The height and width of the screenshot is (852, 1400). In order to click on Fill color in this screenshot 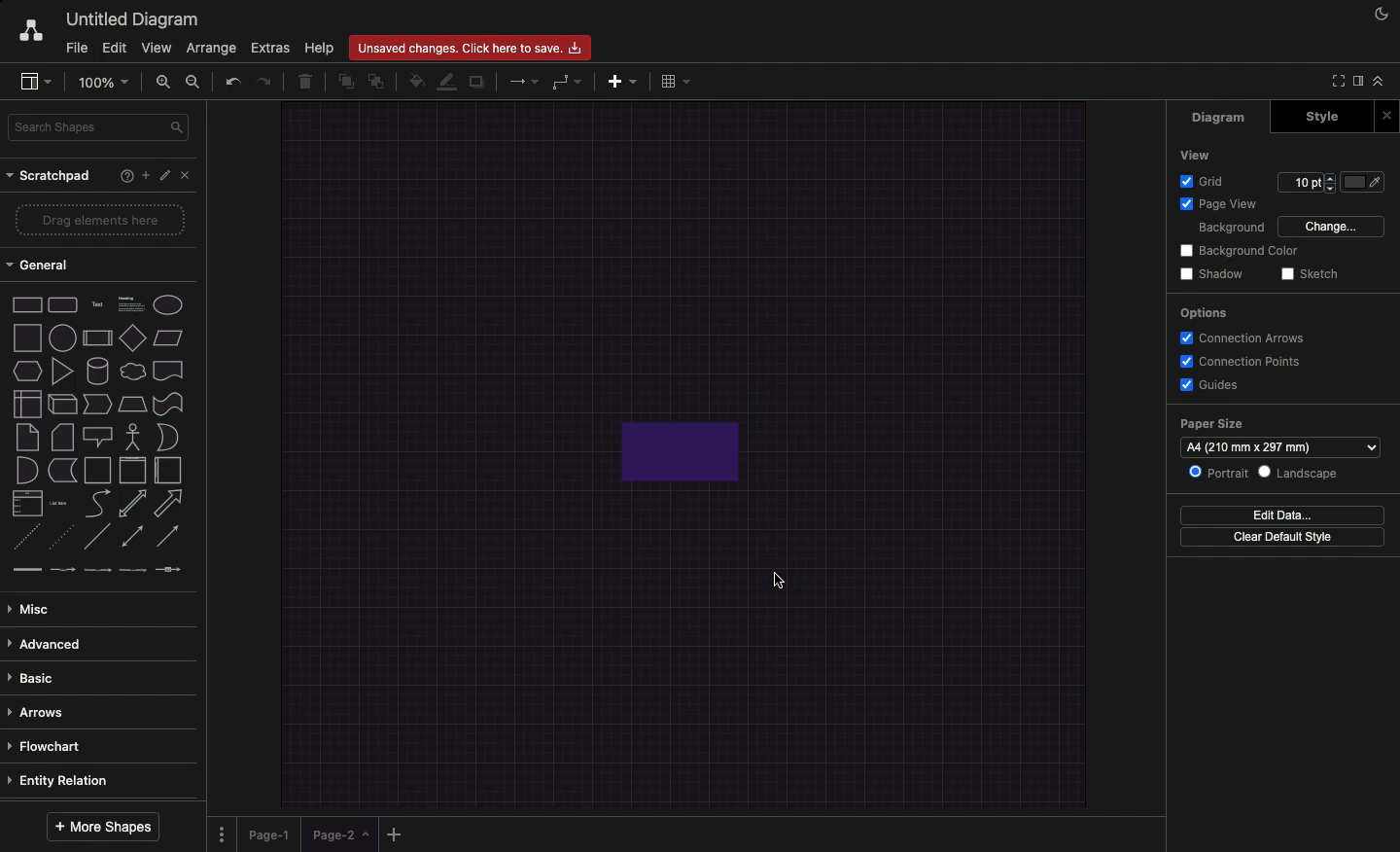, I will do `click(419, 79)`.